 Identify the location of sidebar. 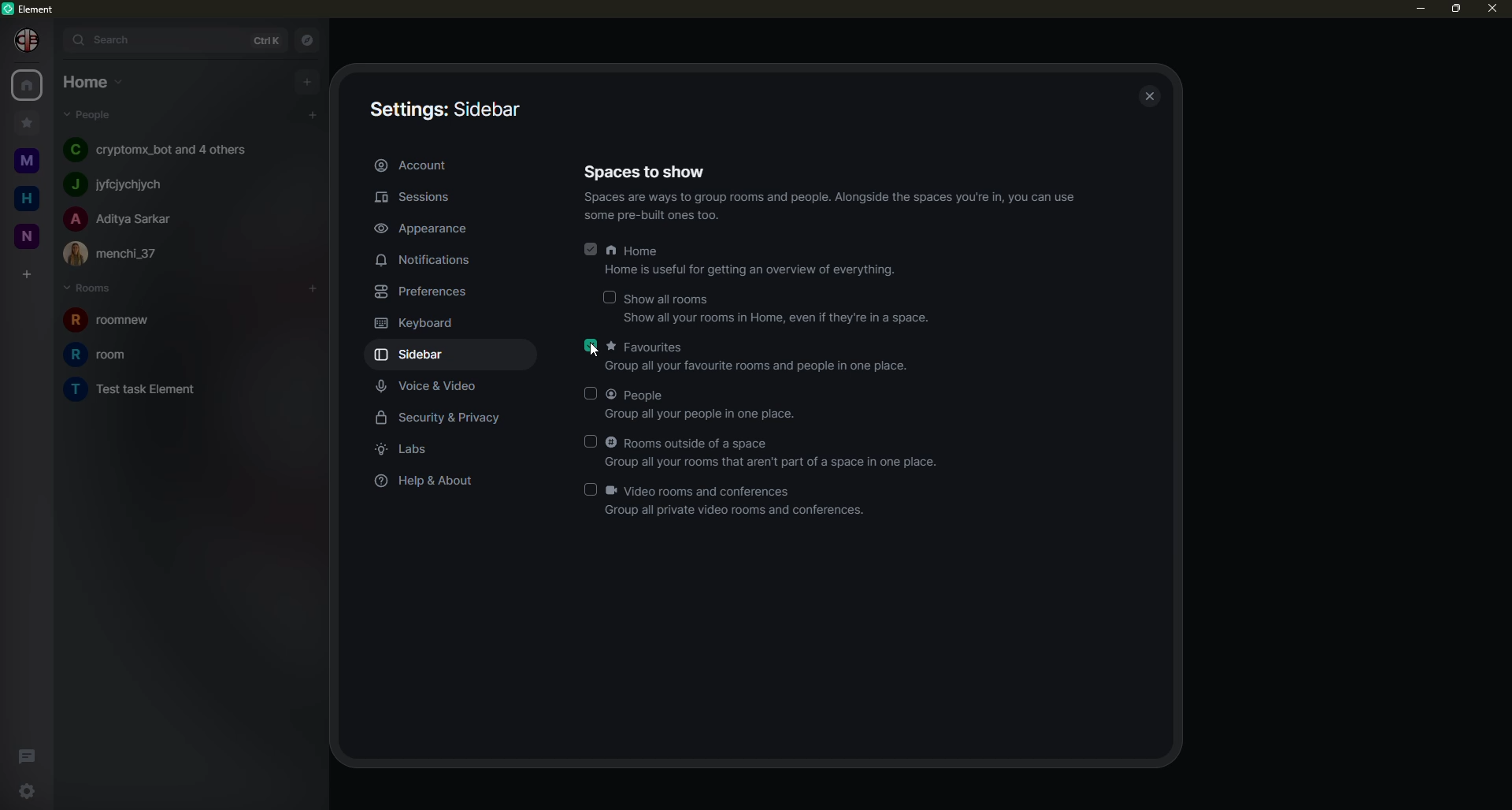
(425, 355).